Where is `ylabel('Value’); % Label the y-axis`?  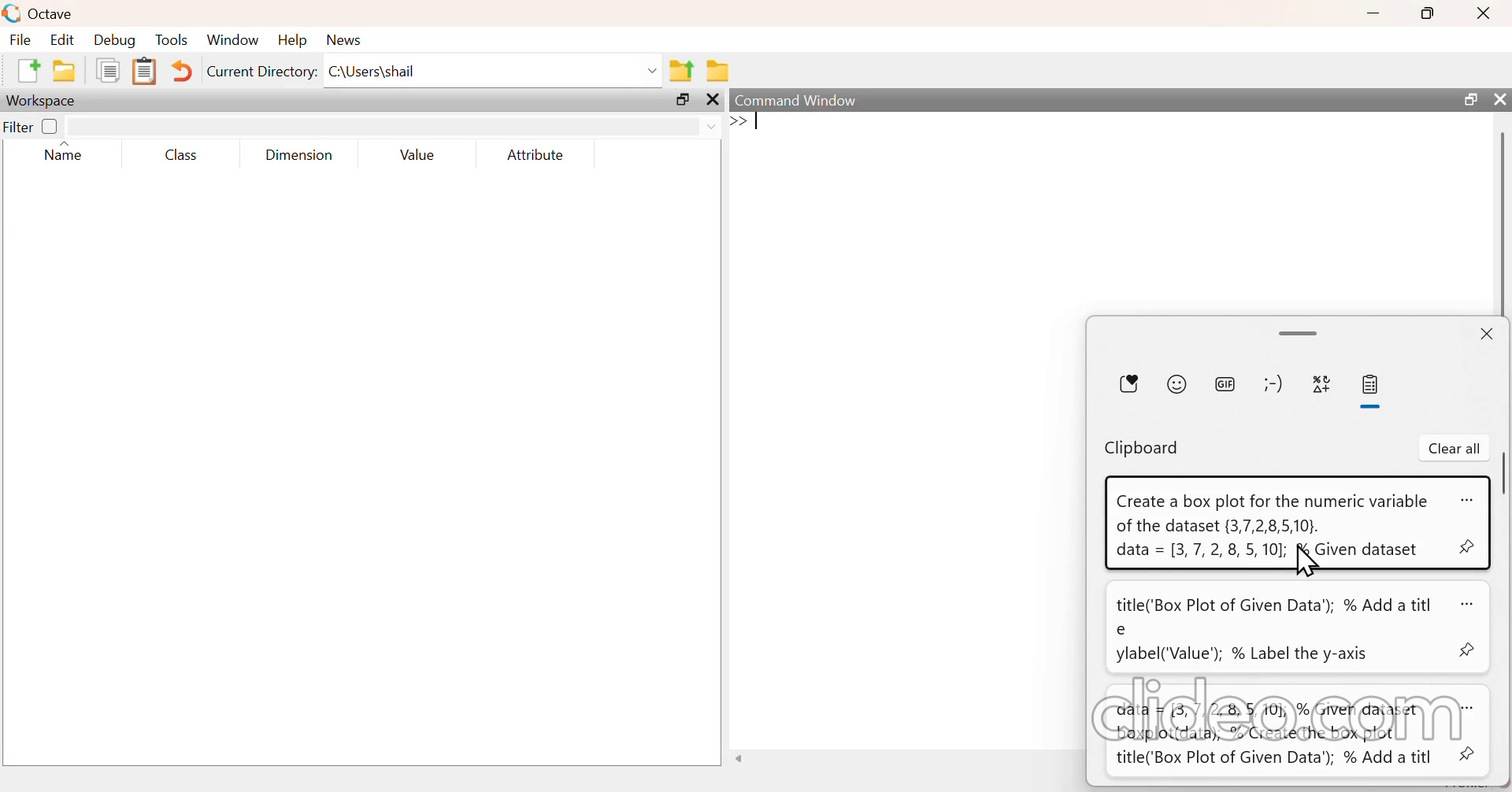 ylabel('Value’); % Label the y-axis is located at coordinates (1238, 656).